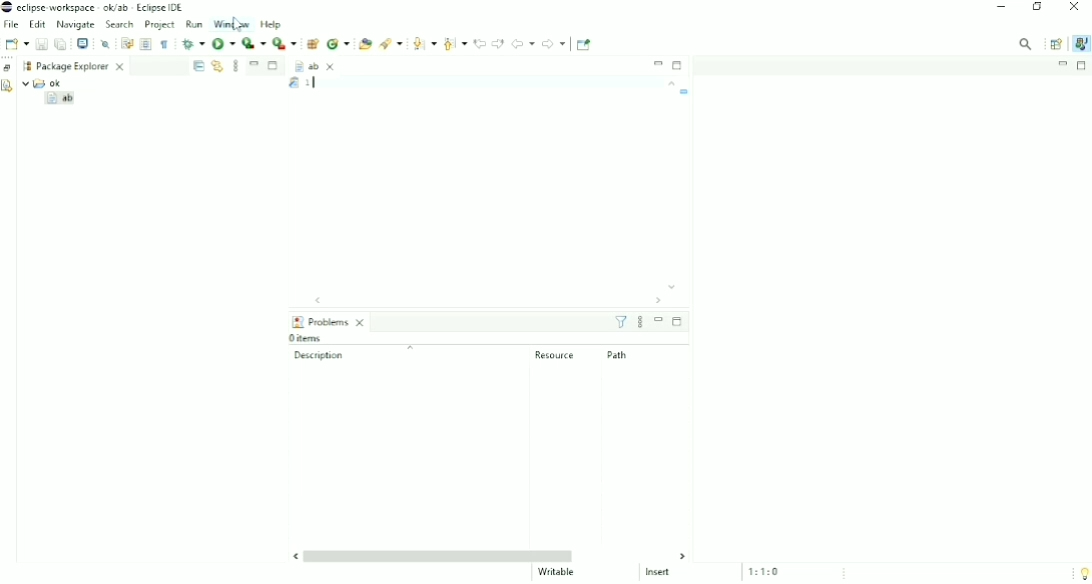 Image resolution: width=1092 pixels, height=584 pixels. I want to click on ab, so click(62, 100).